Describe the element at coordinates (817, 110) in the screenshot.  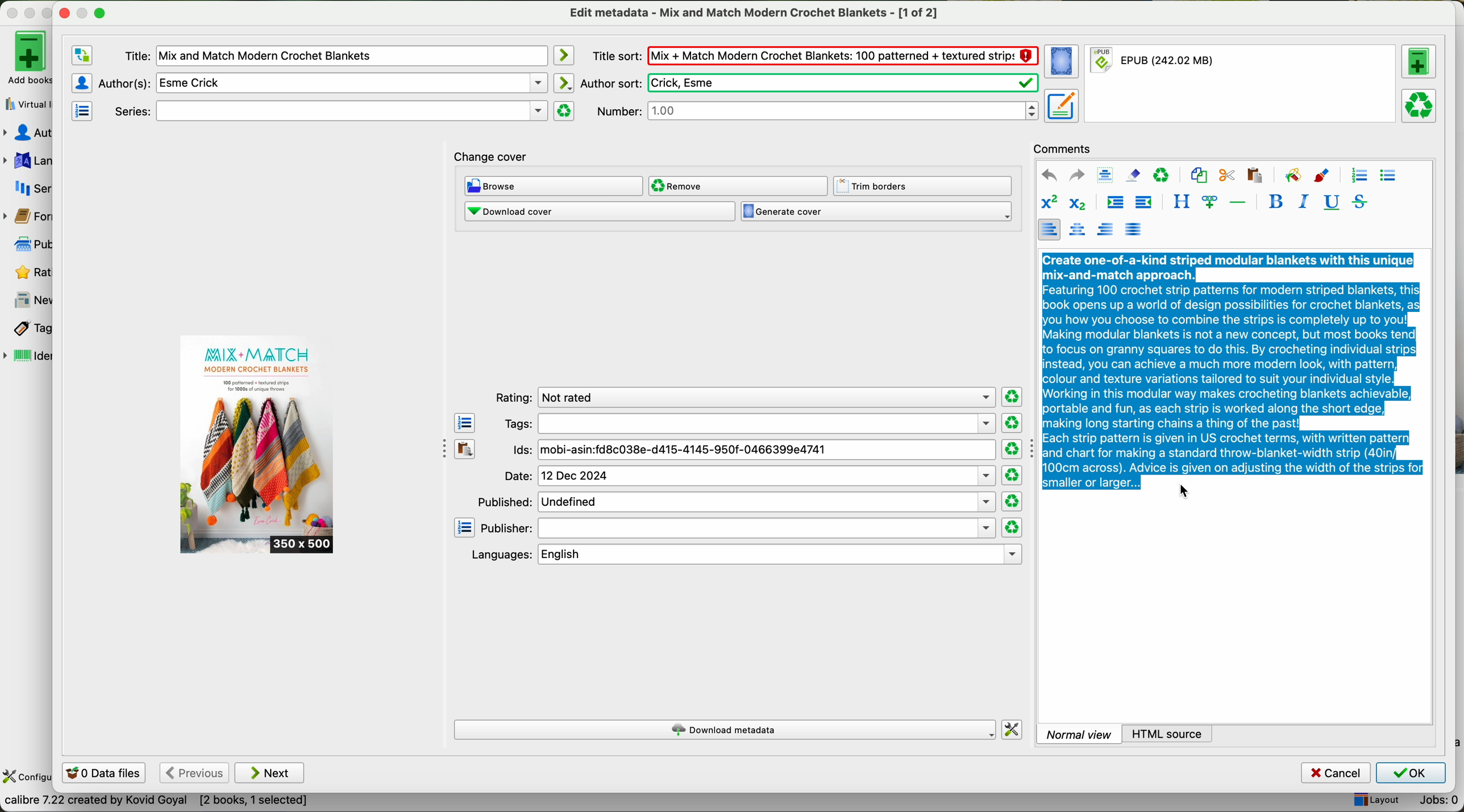
I see `number` at that location.